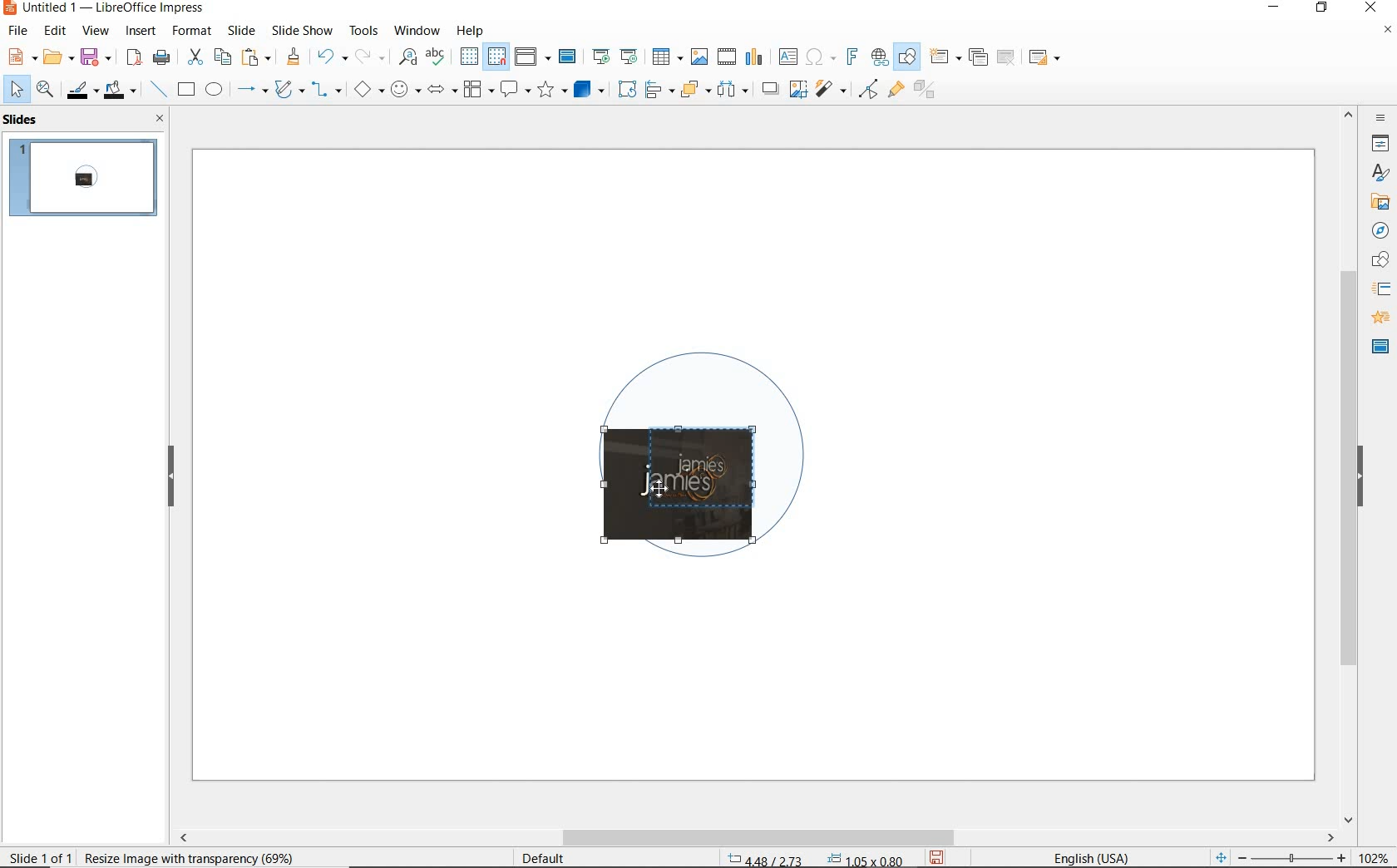 This screenshot has width=1397, height=868. I want to click on connectors, so click(327, 91).